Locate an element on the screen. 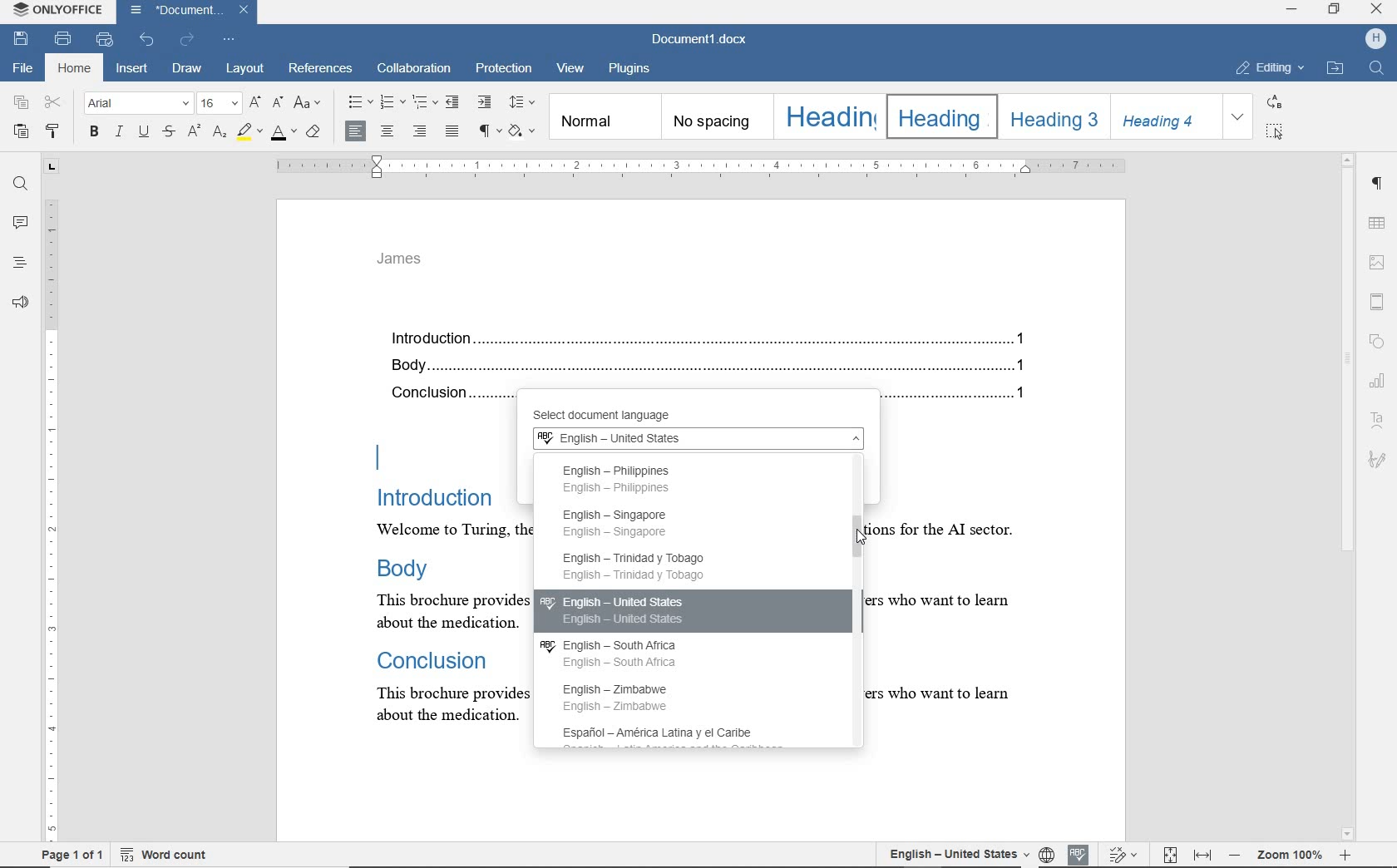  document name is located at coordinates (703, 37).